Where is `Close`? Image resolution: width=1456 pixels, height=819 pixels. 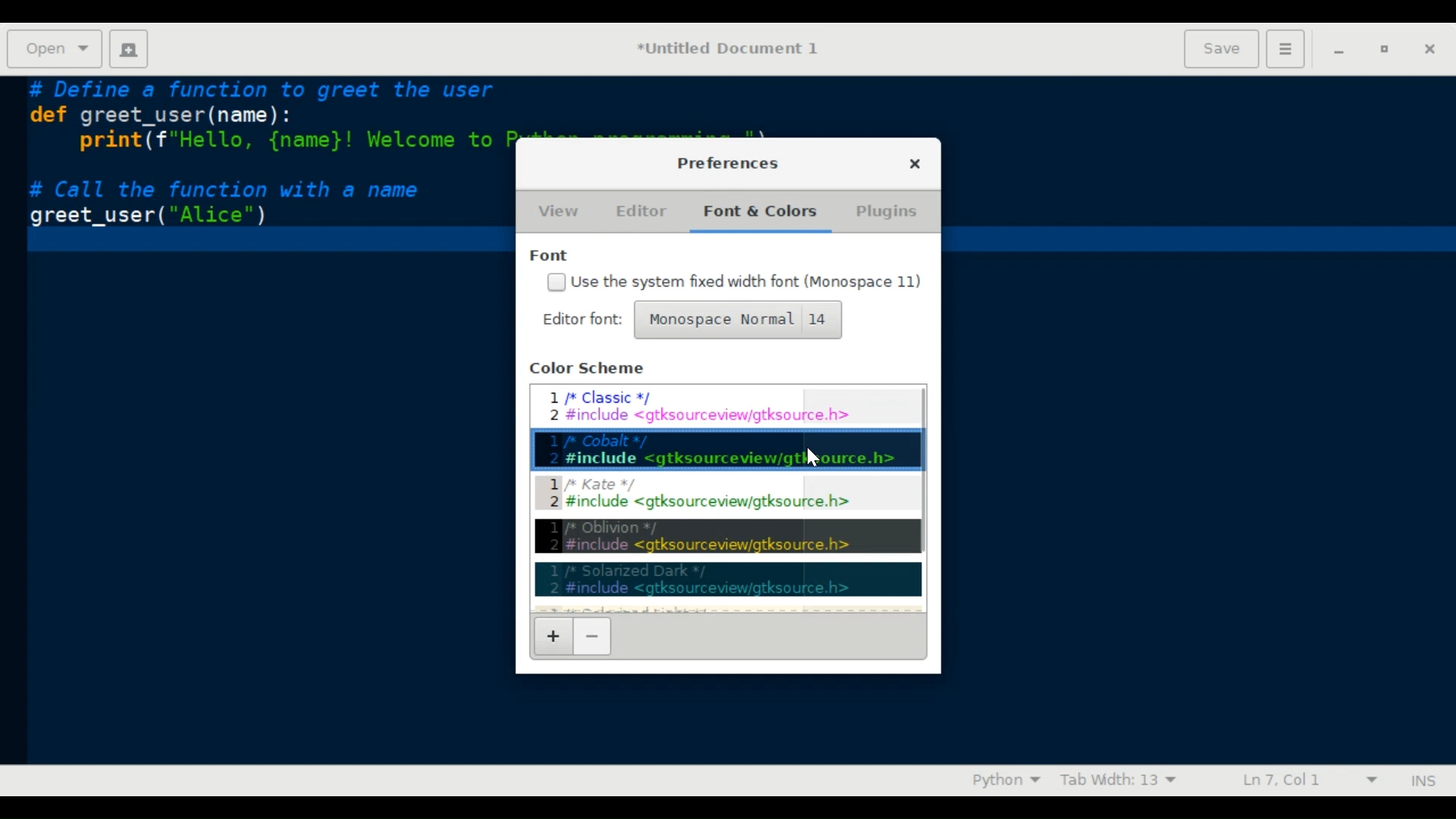
Close is located at coordinates (1428, 48).